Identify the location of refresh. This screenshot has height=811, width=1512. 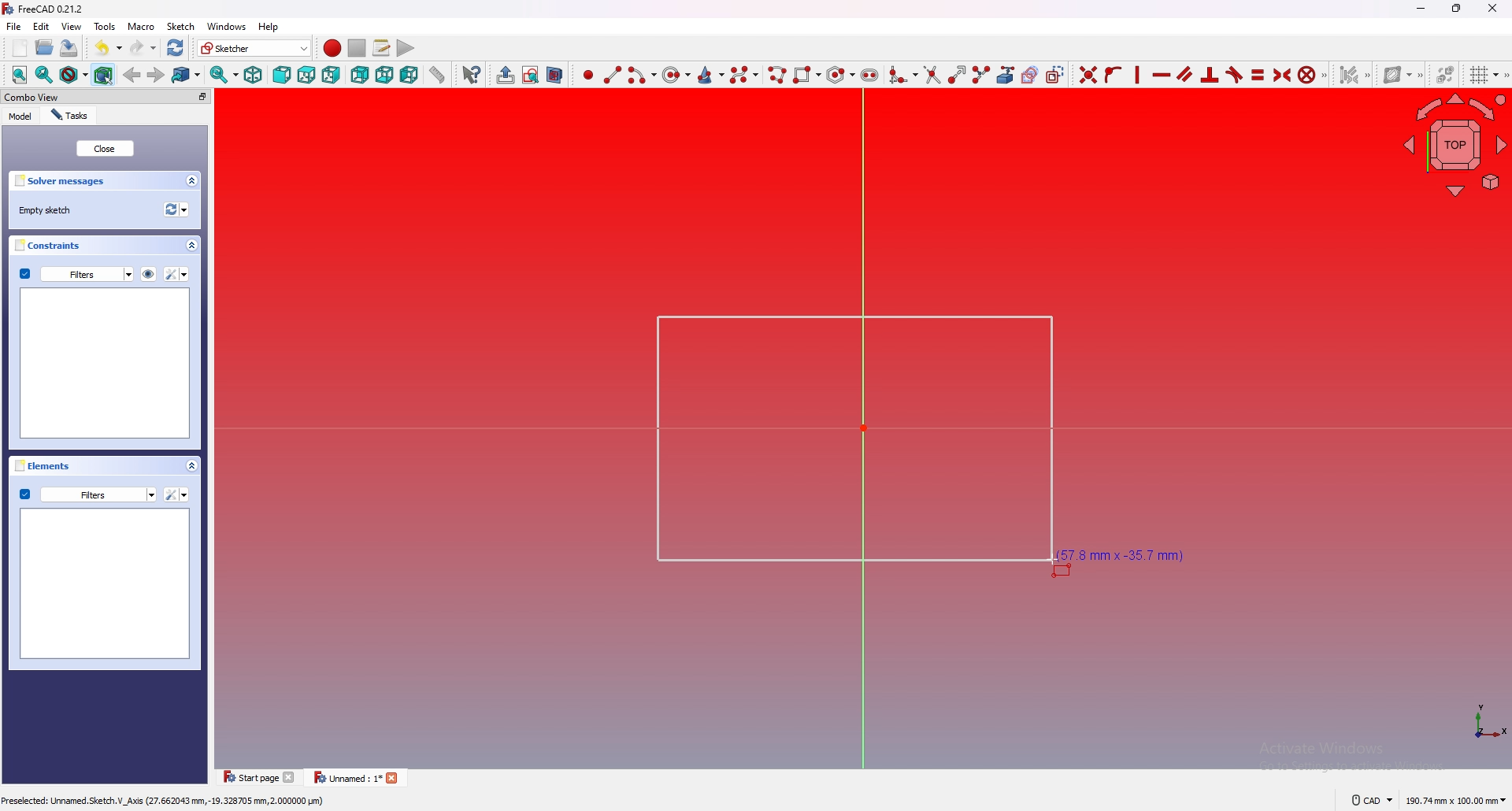
(176, 209).